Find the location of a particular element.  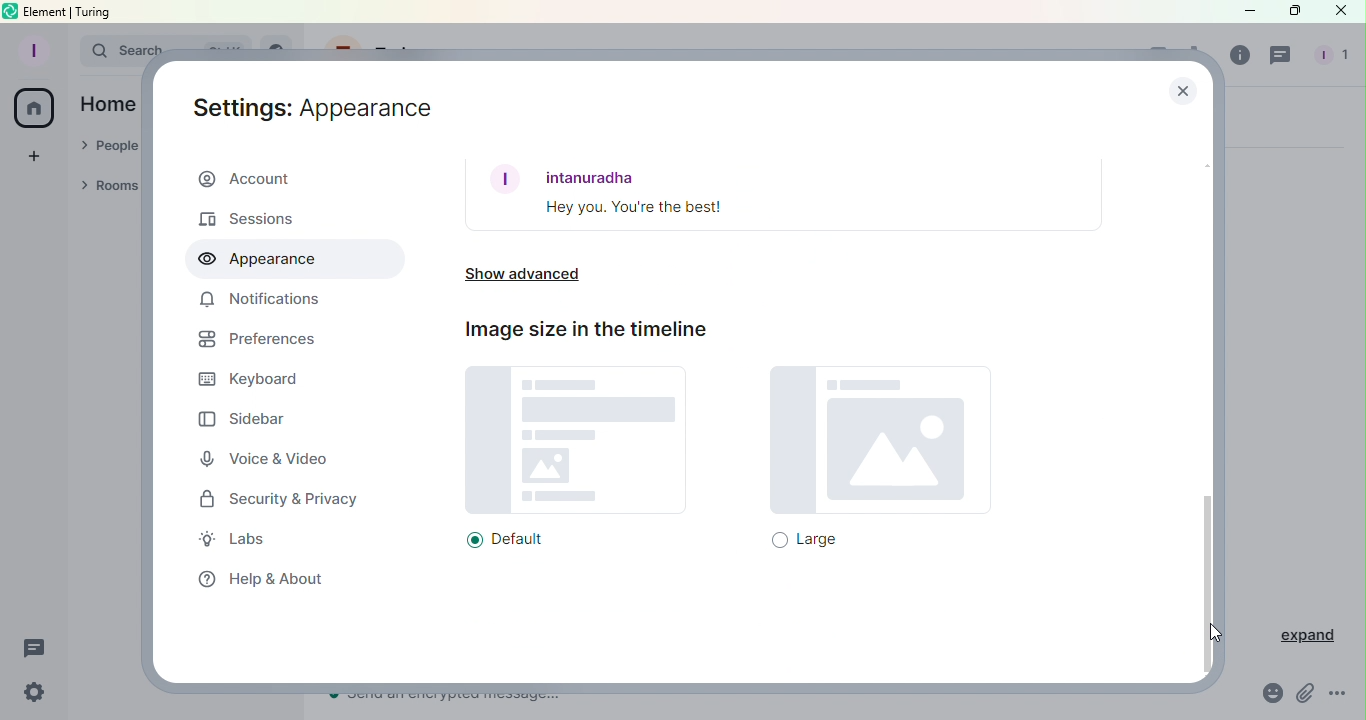

People is located at coordinates (1327, 58).